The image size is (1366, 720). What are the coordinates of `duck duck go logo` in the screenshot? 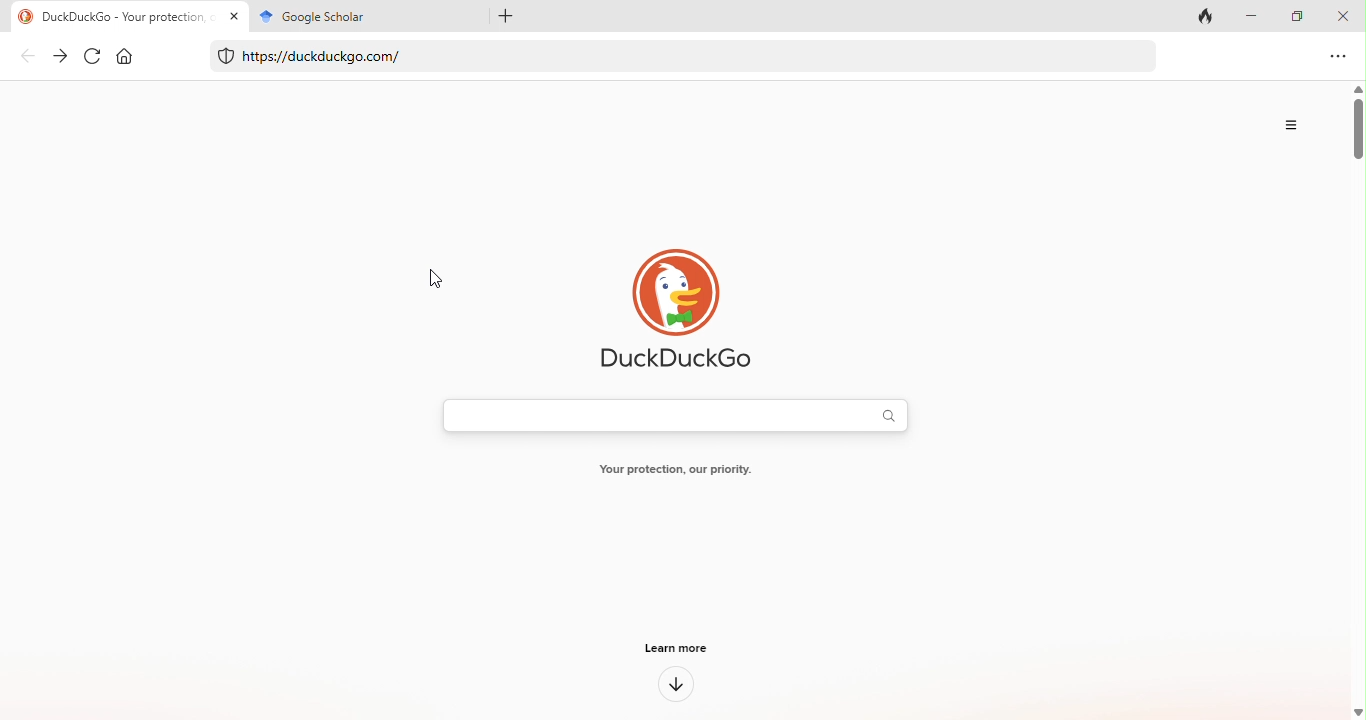 It's located at (668, 304).